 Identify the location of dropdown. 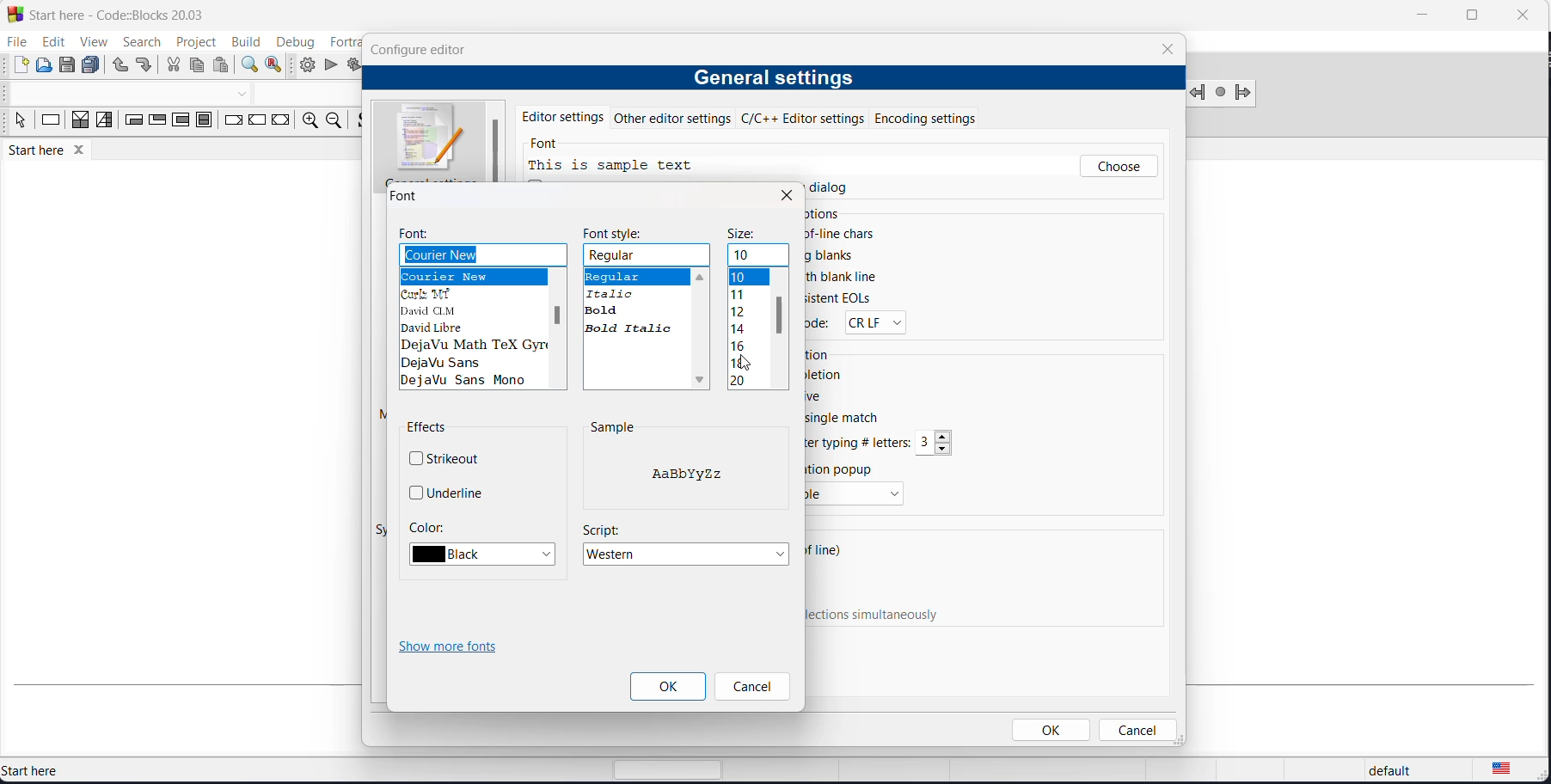
(245, 94).